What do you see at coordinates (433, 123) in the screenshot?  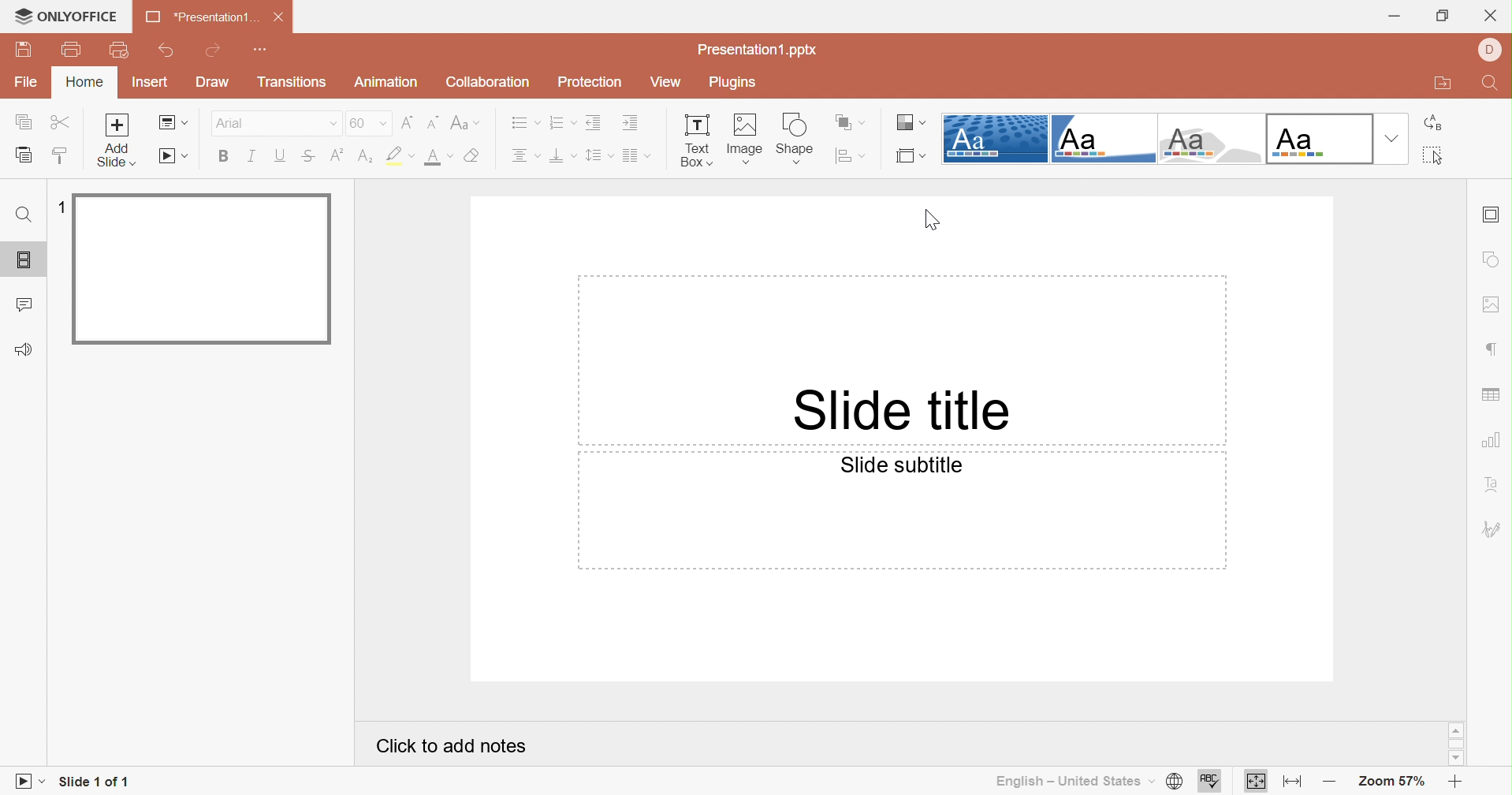 I see `Decrement font size` at bounding box center [433, 123].